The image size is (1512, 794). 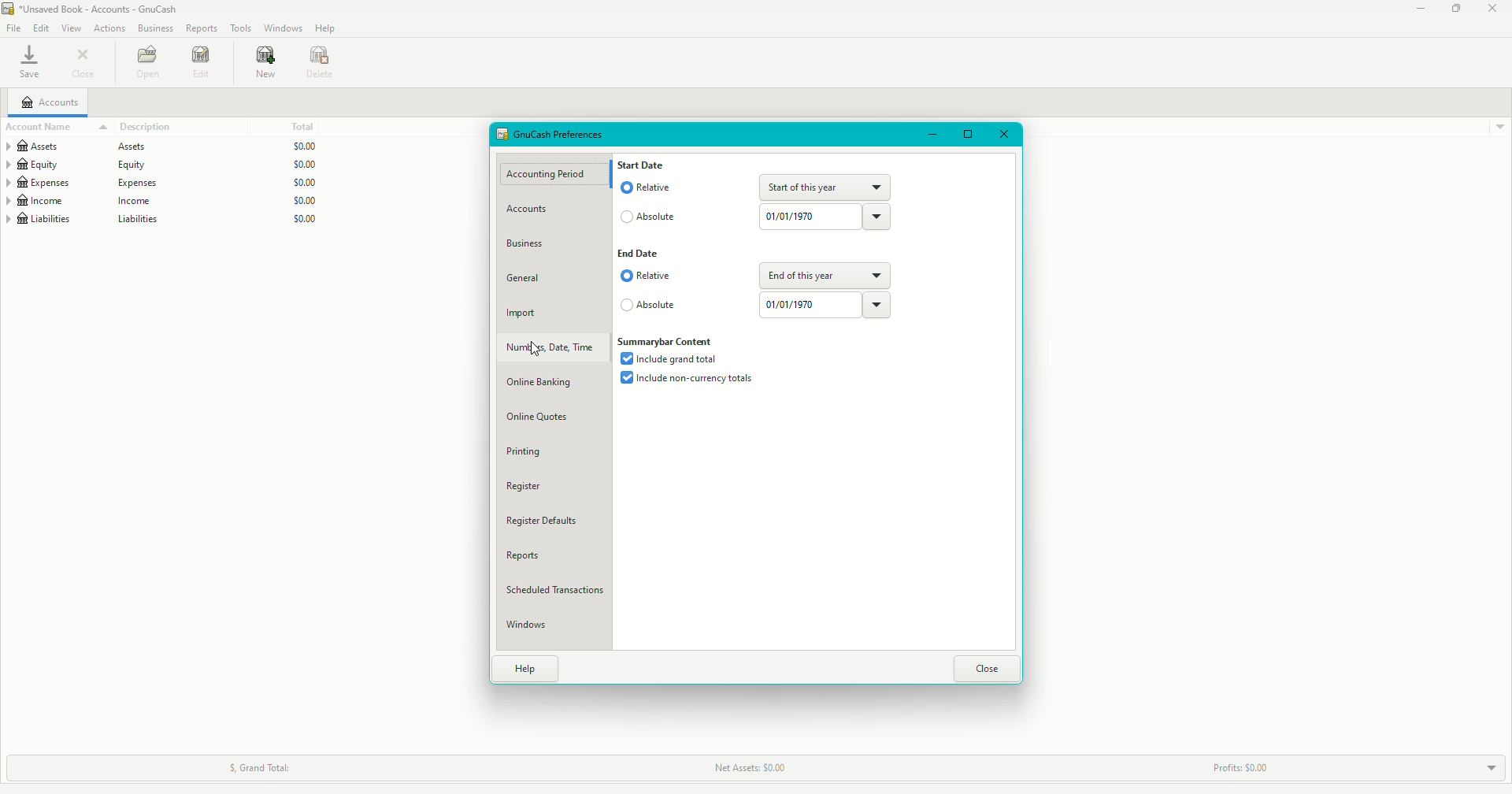 I want to click on General, so click(x=530, y=278).